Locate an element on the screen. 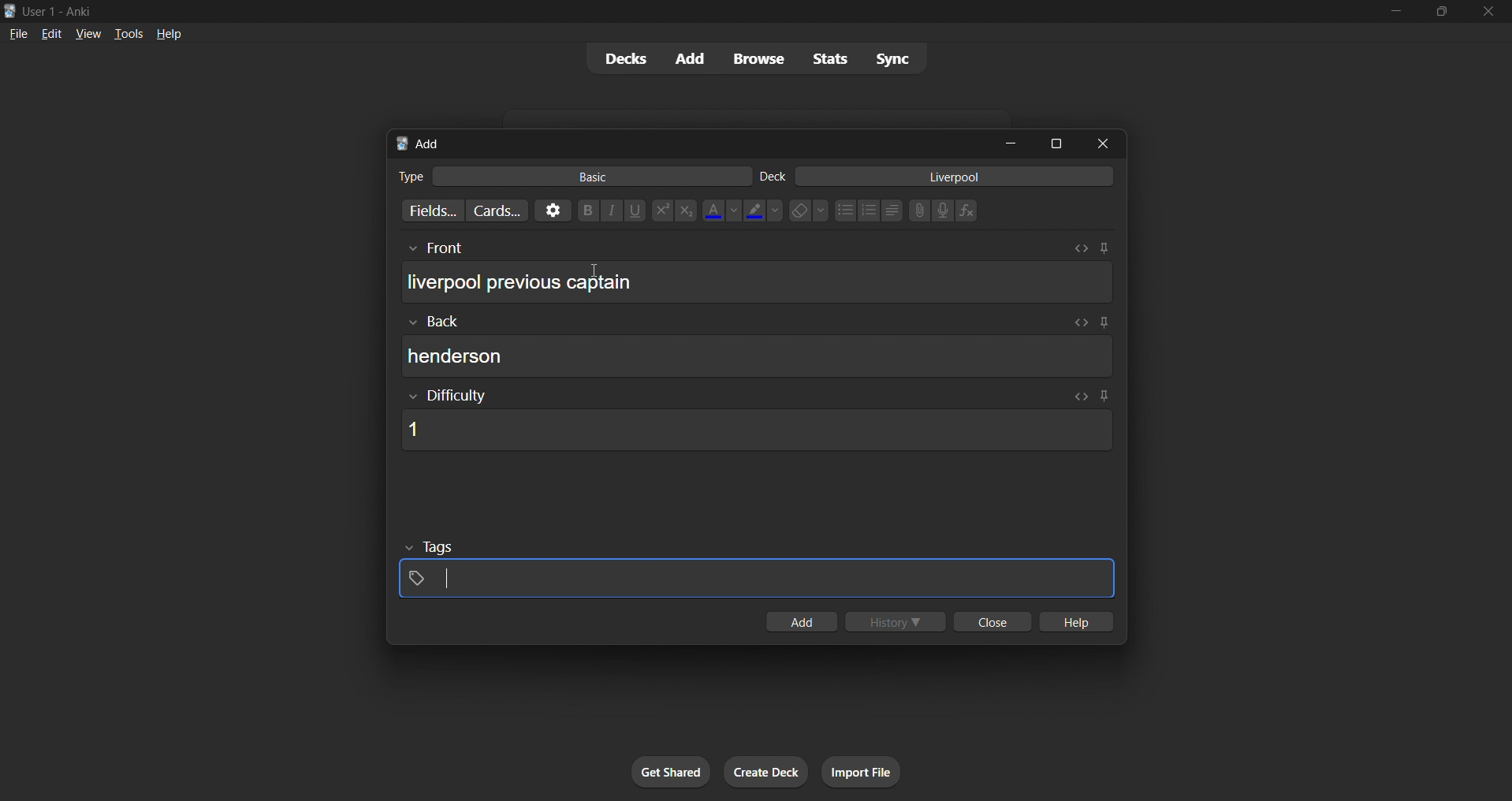  Bold is located at coordinates (587, 209).